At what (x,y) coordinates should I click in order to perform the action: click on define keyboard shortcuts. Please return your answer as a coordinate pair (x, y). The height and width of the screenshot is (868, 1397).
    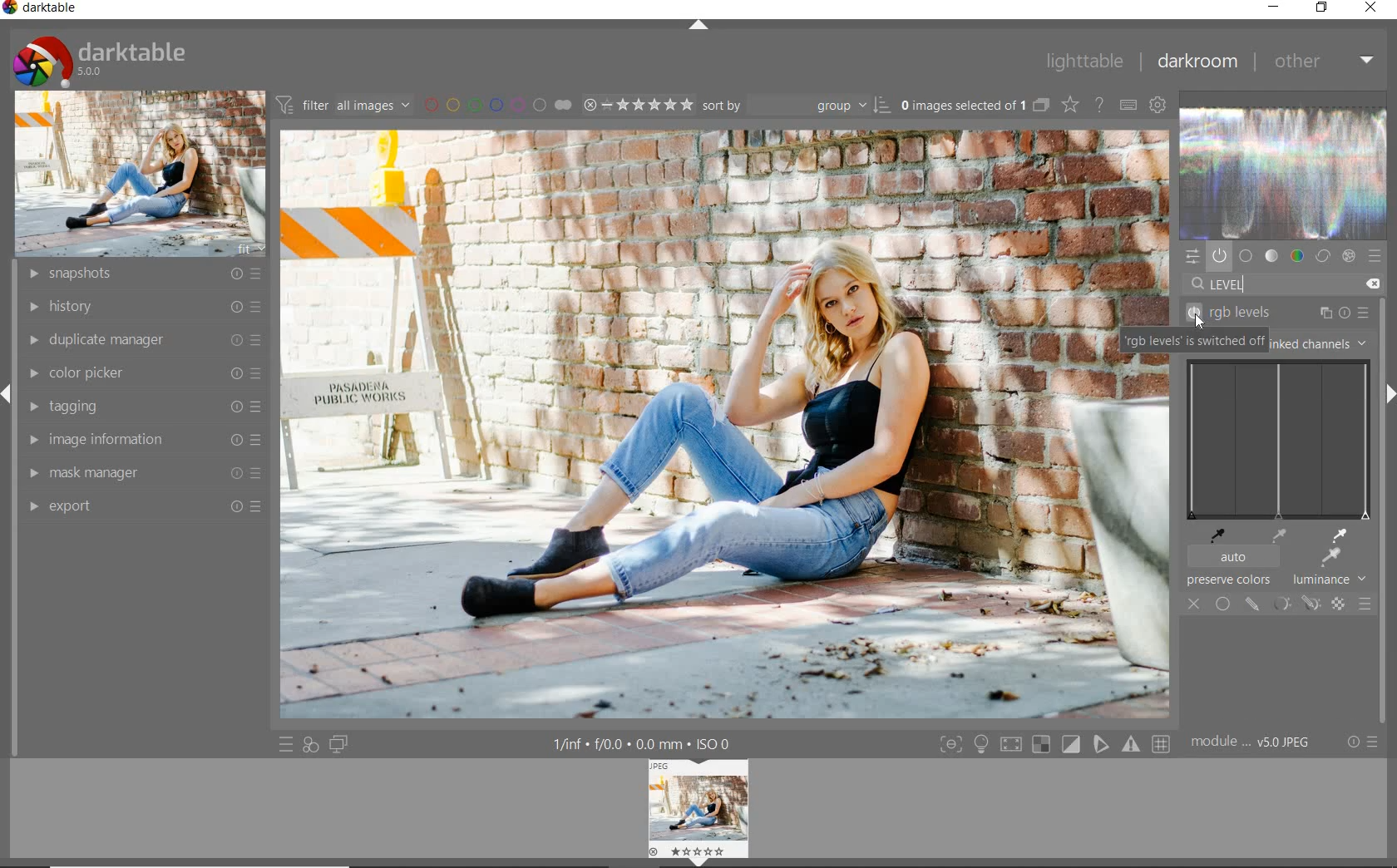
    Looking at the image, I should click on (1127, 104).